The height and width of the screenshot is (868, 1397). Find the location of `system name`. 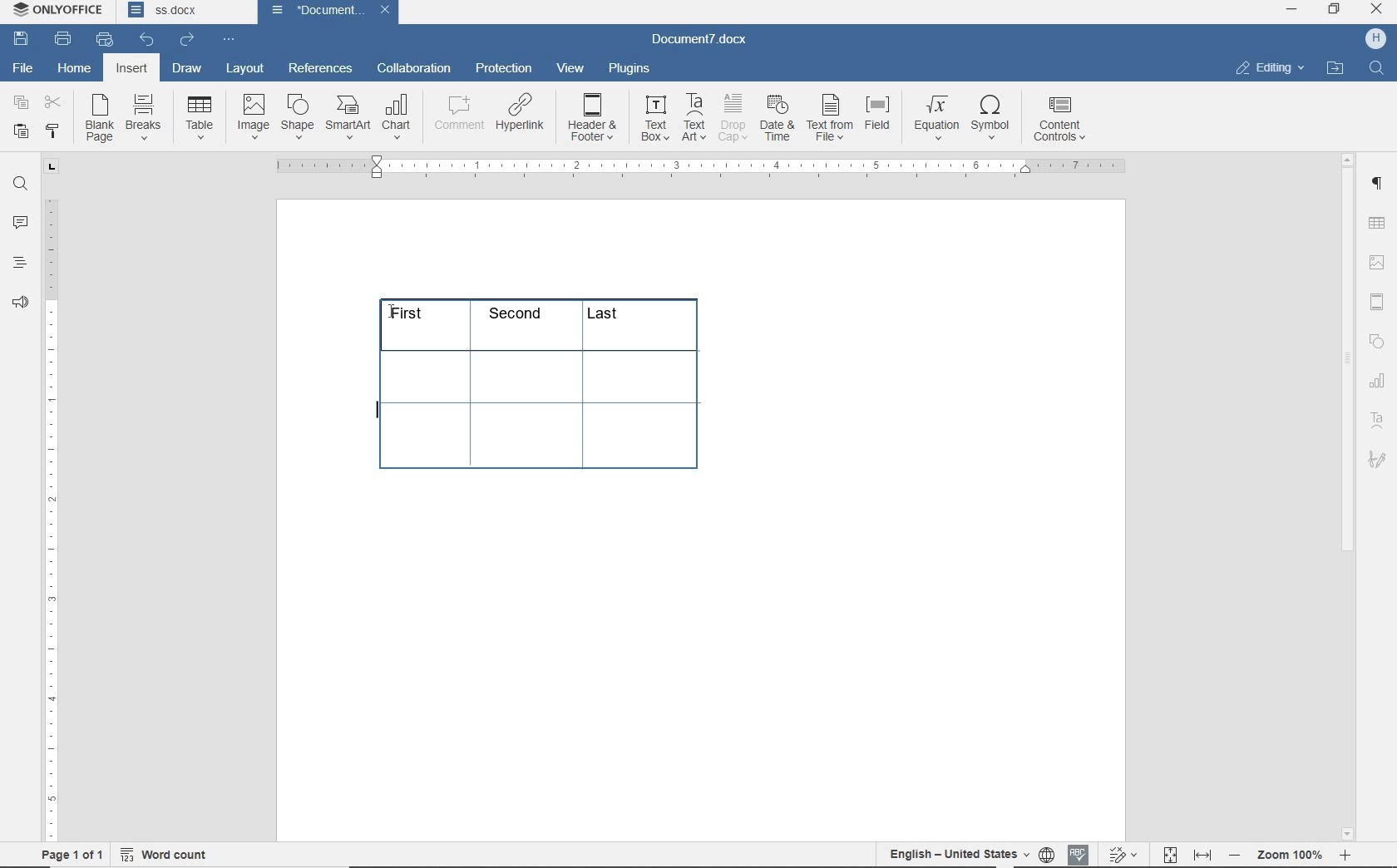

system name is located at coordinates (59, 11).